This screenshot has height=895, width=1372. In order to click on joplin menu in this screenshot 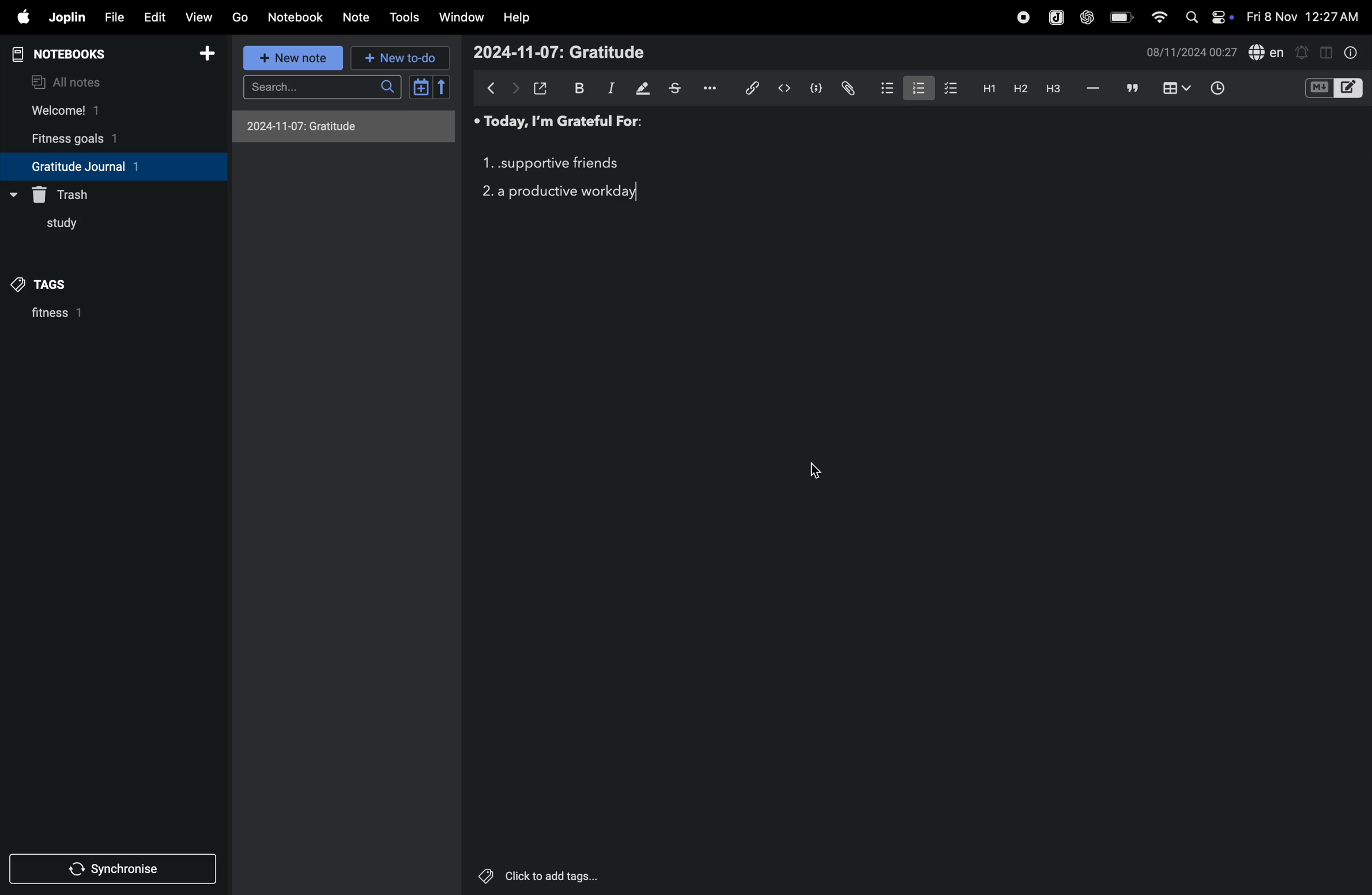, I will do `click(1056, 18)`.